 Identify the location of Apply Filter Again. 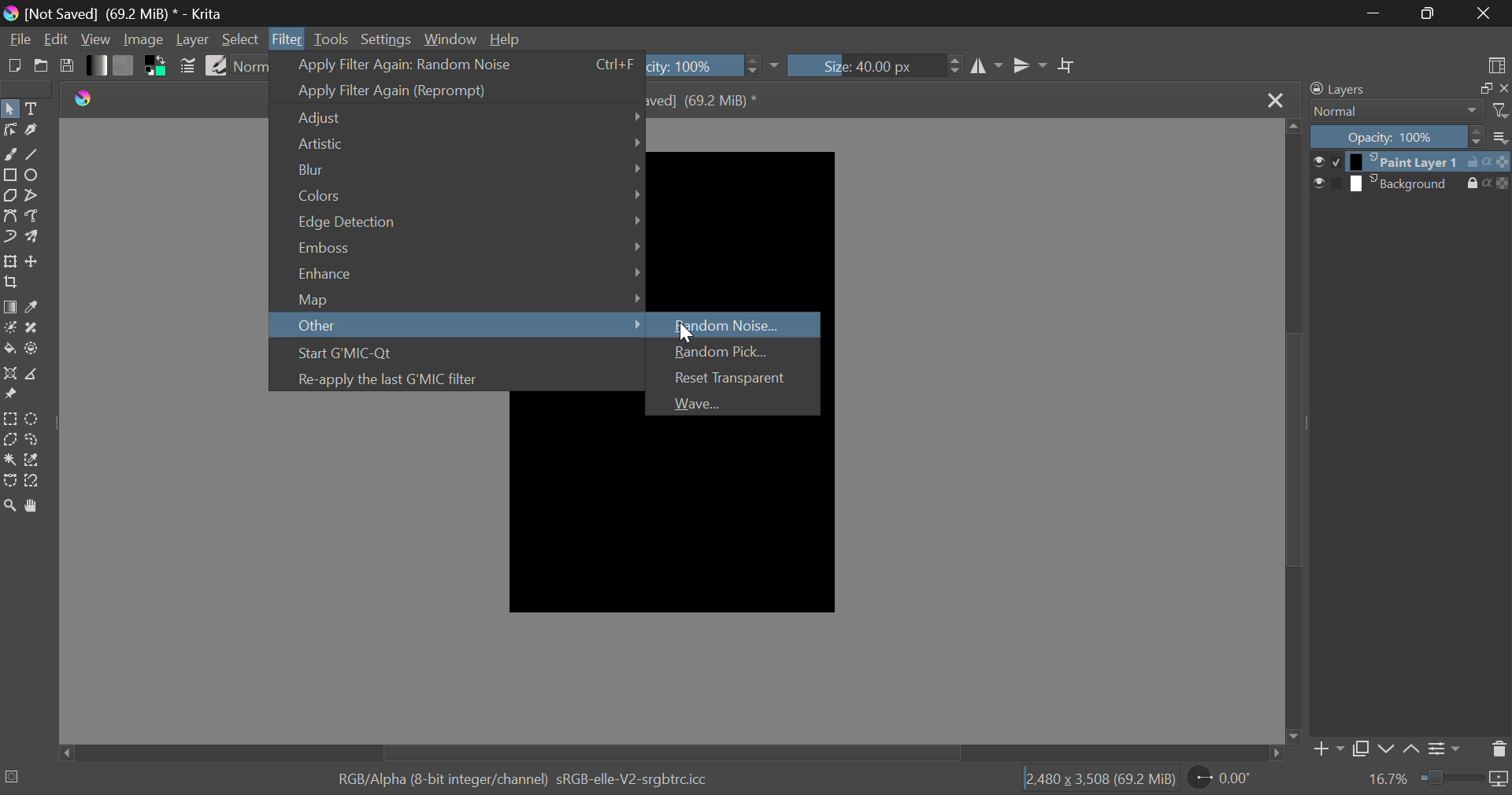
(459, 92).